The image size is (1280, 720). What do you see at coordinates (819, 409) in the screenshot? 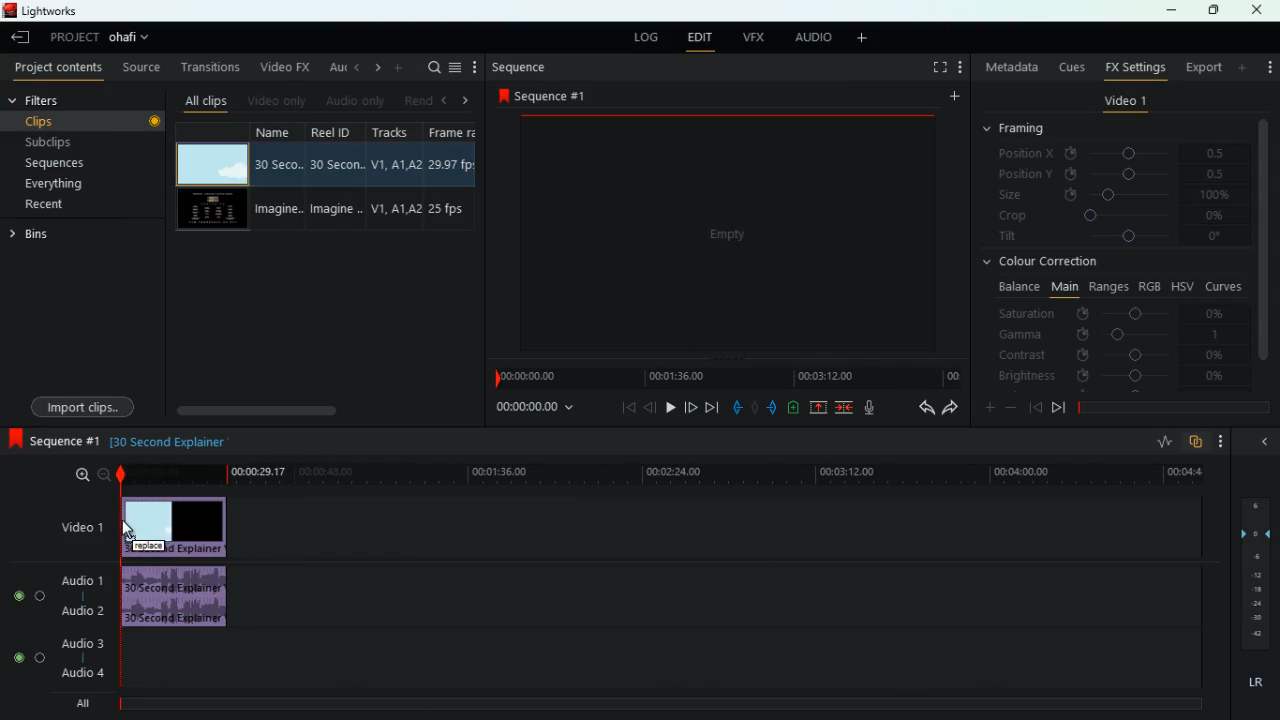
I see `up` at bounding box center [819, 409].